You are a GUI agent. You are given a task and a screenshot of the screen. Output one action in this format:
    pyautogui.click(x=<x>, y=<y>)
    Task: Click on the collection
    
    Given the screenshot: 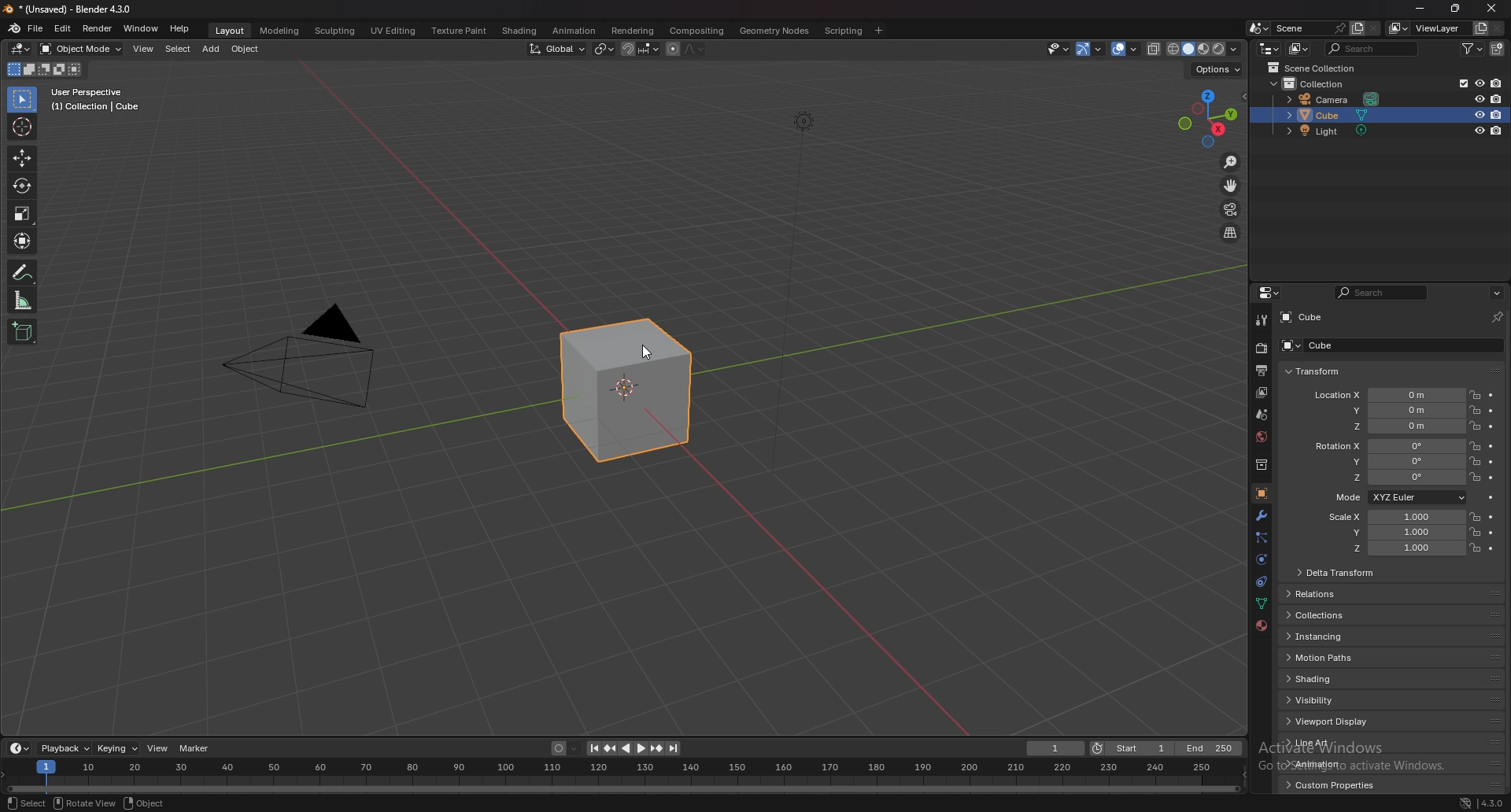 What is the action you would take?
    pyautogui.click(x=1321, y=84)
    